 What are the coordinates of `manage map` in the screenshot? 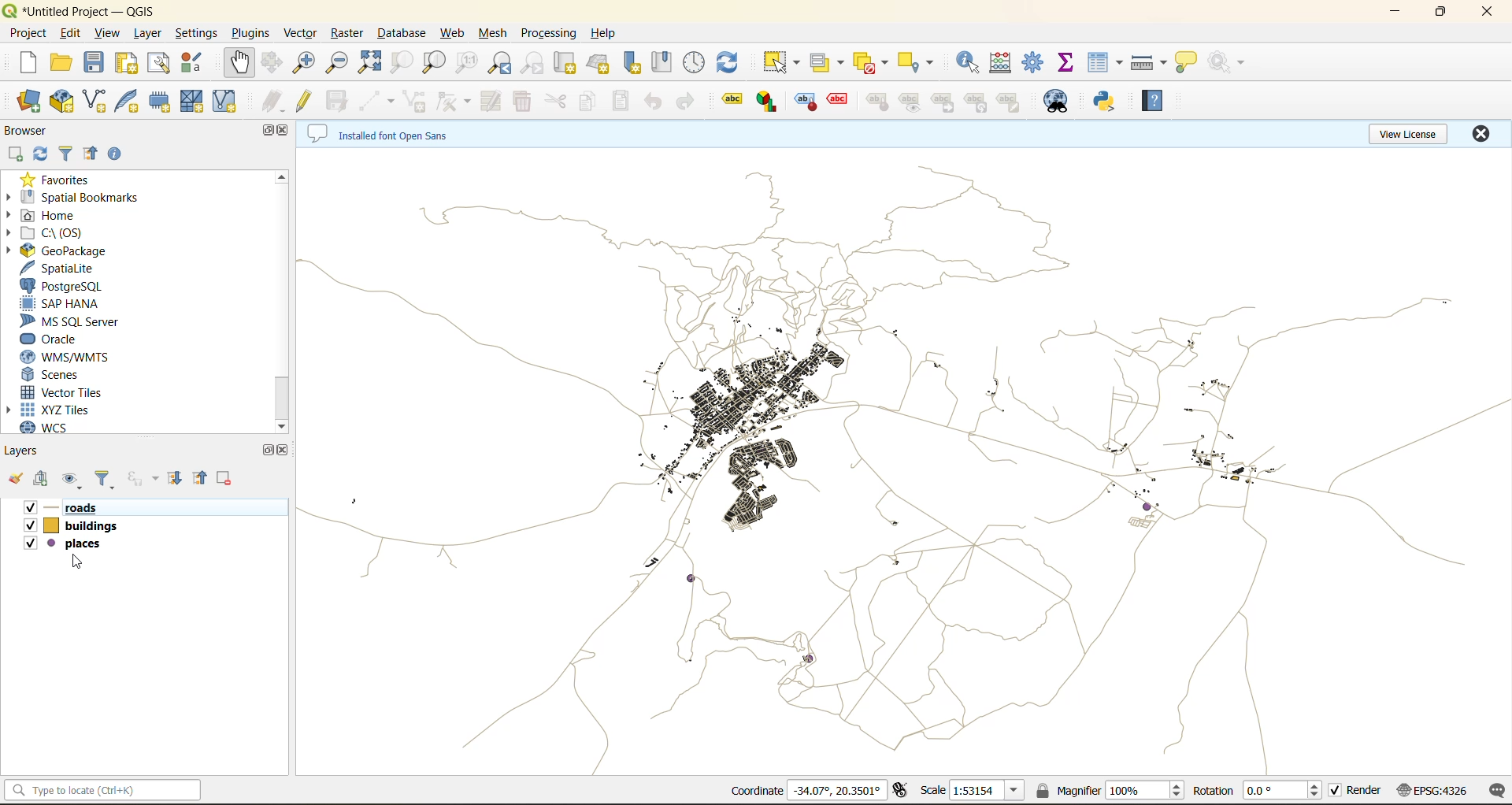 It's located at (74, 478).